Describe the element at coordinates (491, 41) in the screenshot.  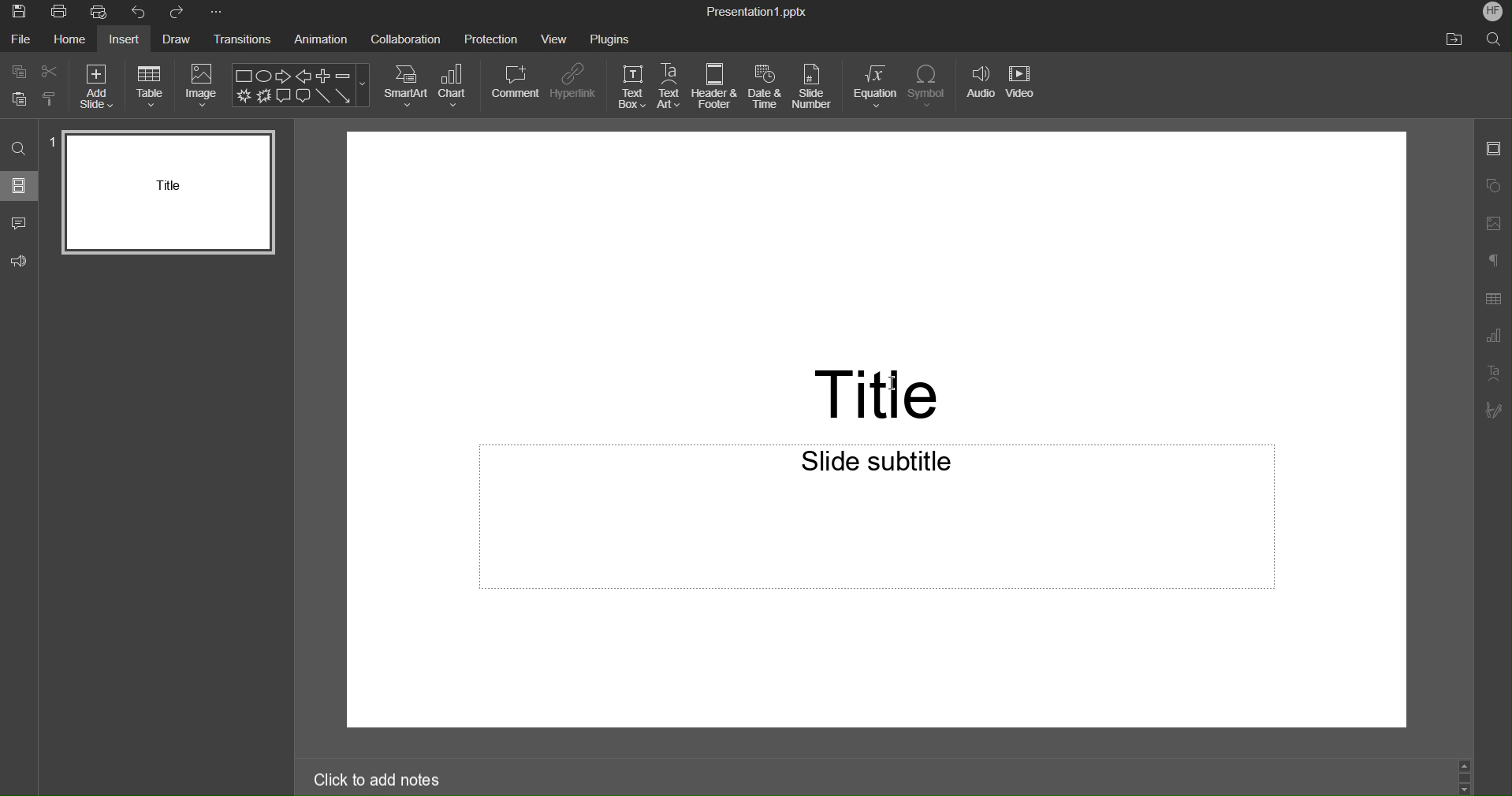
I see `Protection` at that location.